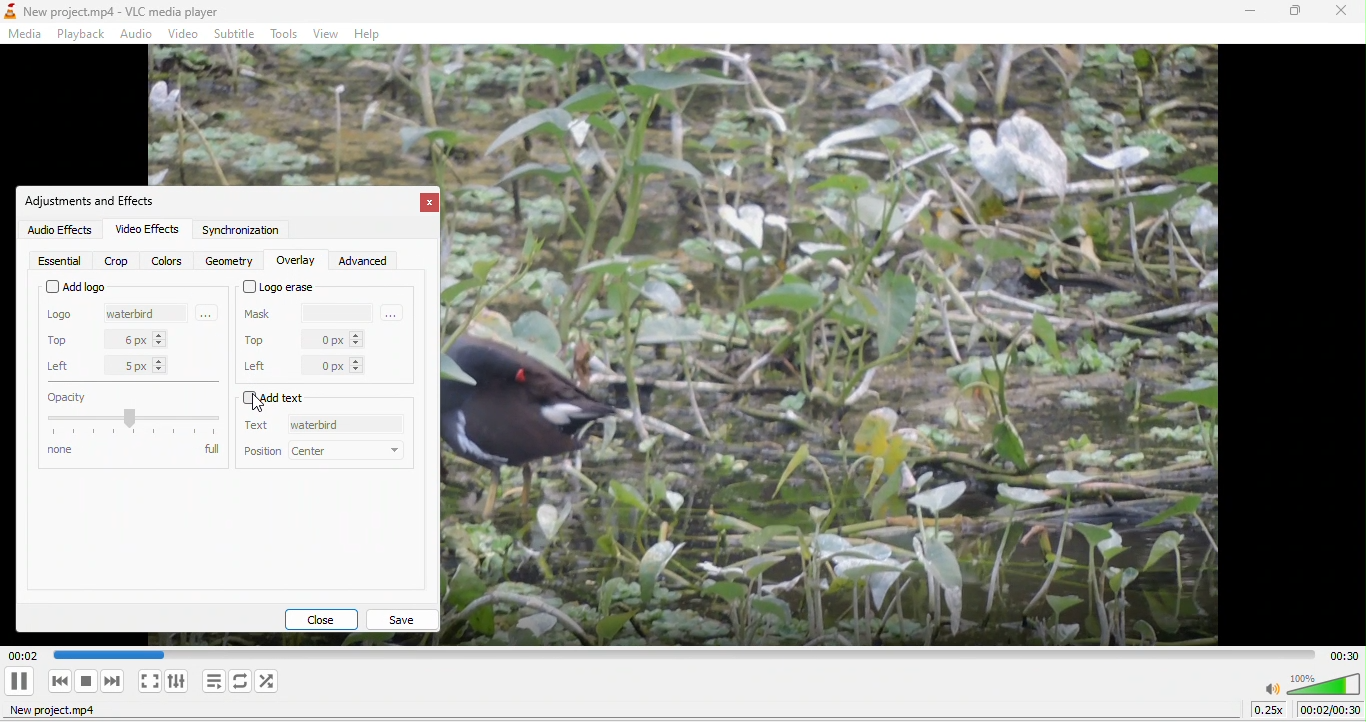 The image size is (1366, 722). I want to click on close, so click(1342, 14).